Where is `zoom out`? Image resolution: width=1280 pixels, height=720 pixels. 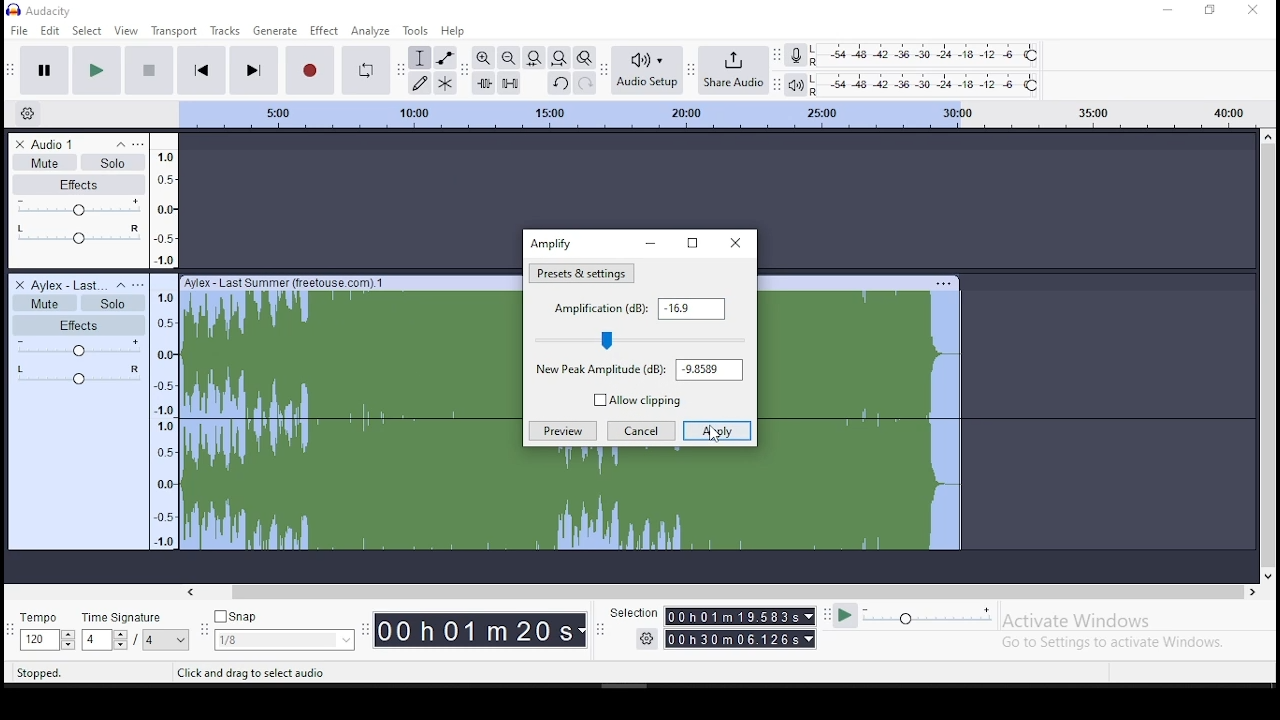
zoom out is located at coordinates (508, 57).